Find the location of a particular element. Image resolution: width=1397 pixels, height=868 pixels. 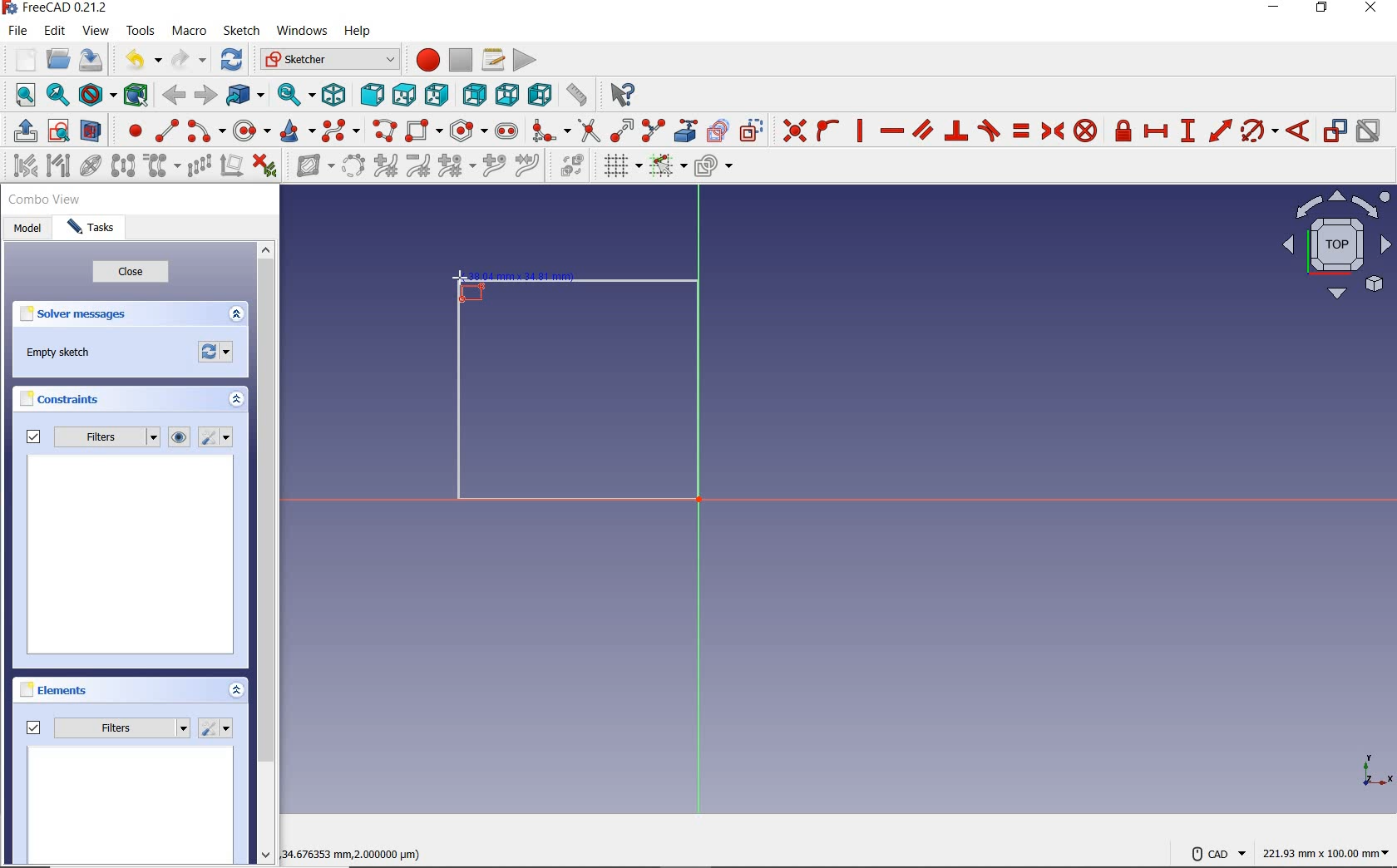

left is located at coordinates (540, 96).